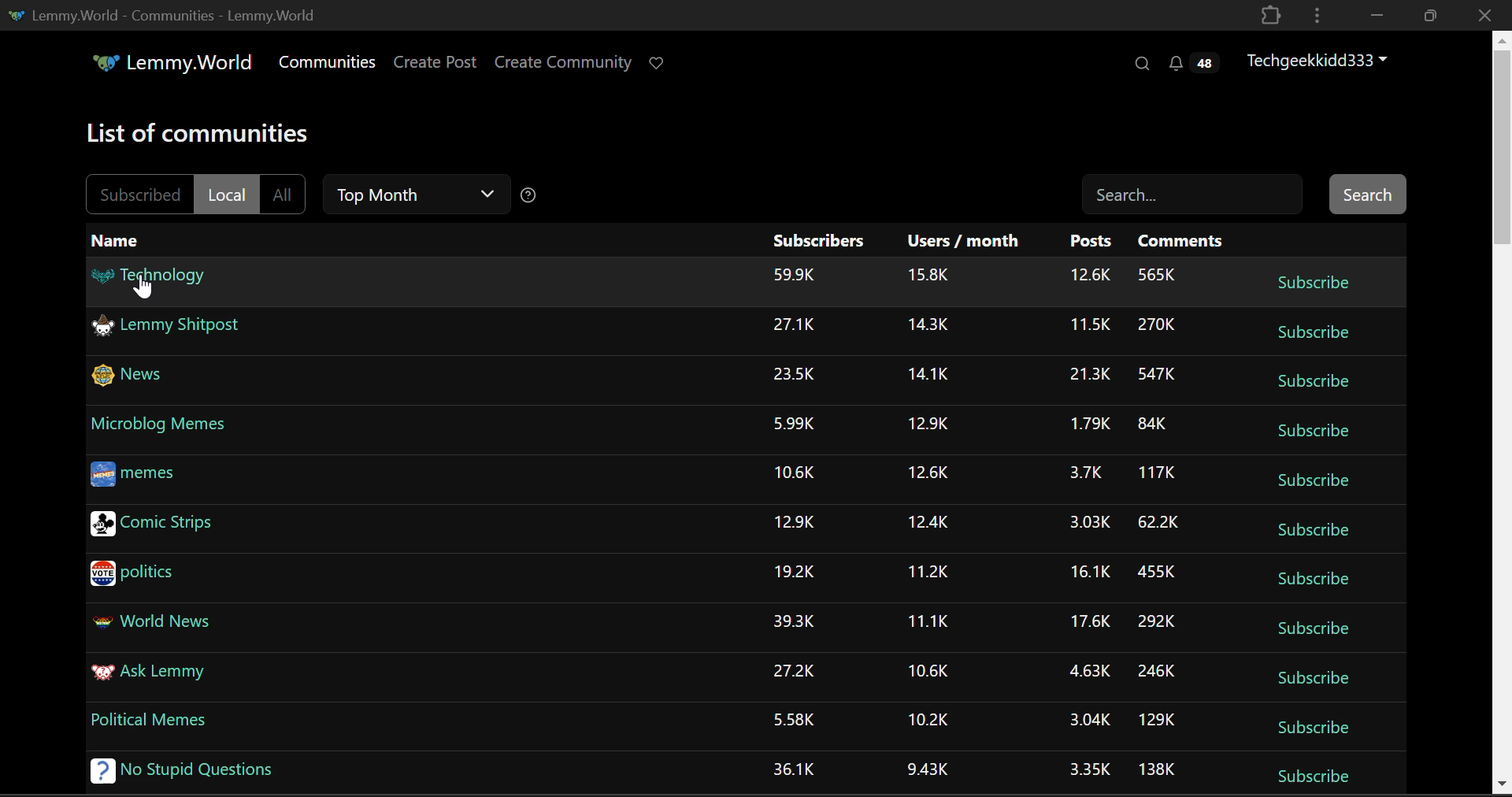 The width and height of the screenshot is (1512, 797). I want to click on Subscribe, so click(1309, 628).